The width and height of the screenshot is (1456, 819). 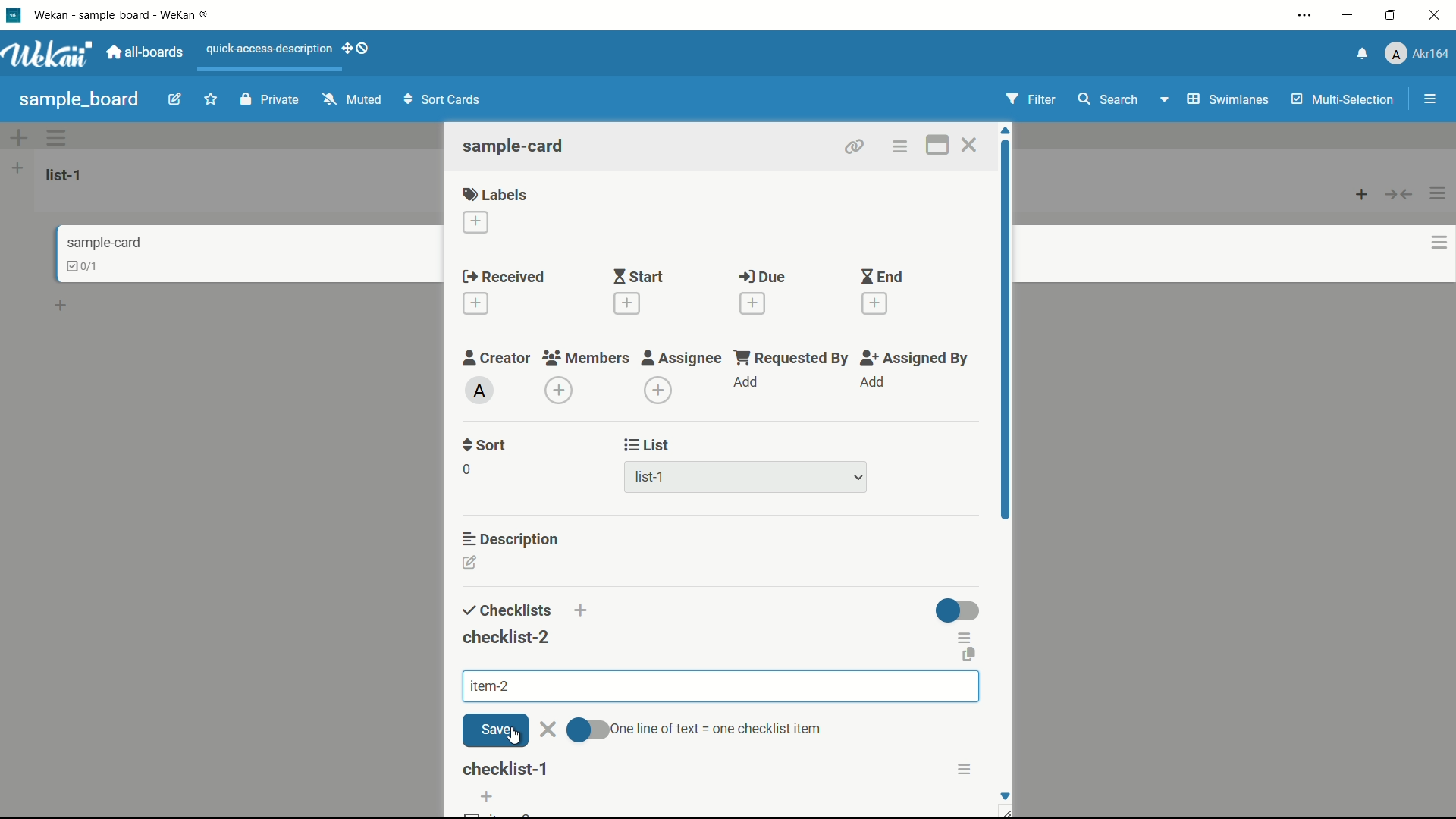 I want to click on requested by, so click(x=792, y=357).